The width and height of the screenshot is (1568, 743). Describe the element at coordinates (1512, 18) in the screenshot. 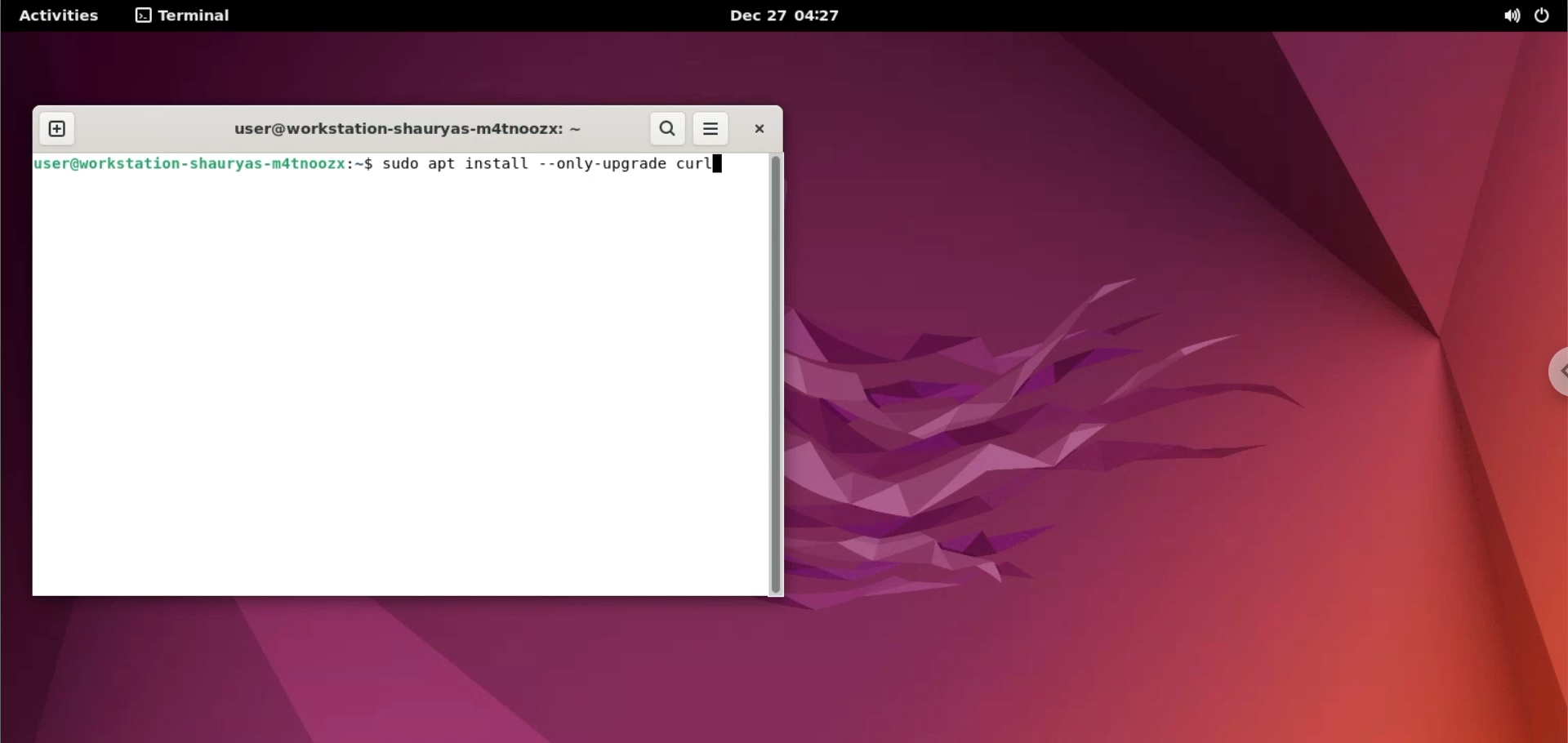

I see `sound options` at that location.